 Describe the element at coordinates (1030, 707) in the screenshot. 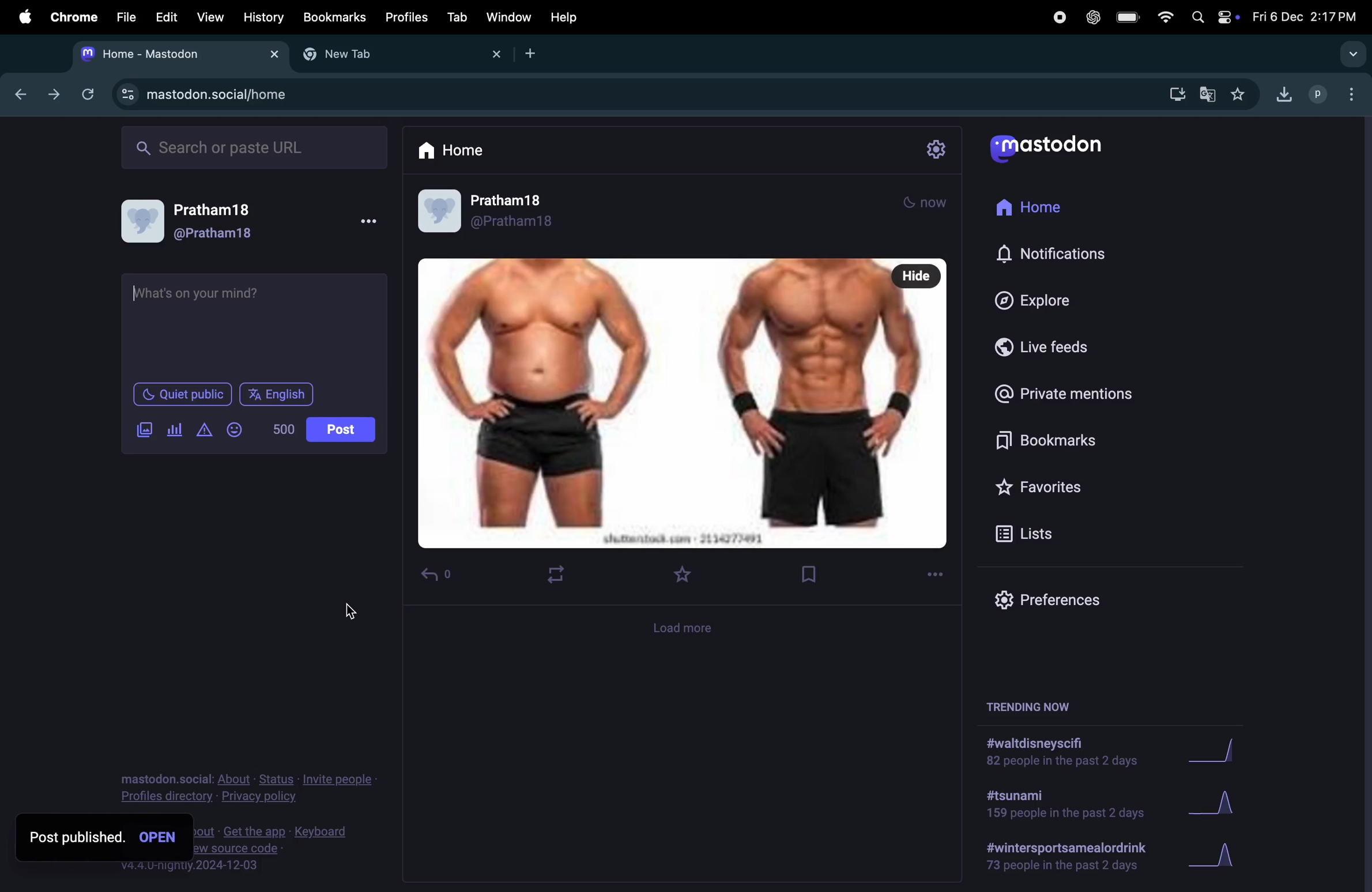

I see `trending now` at that location.